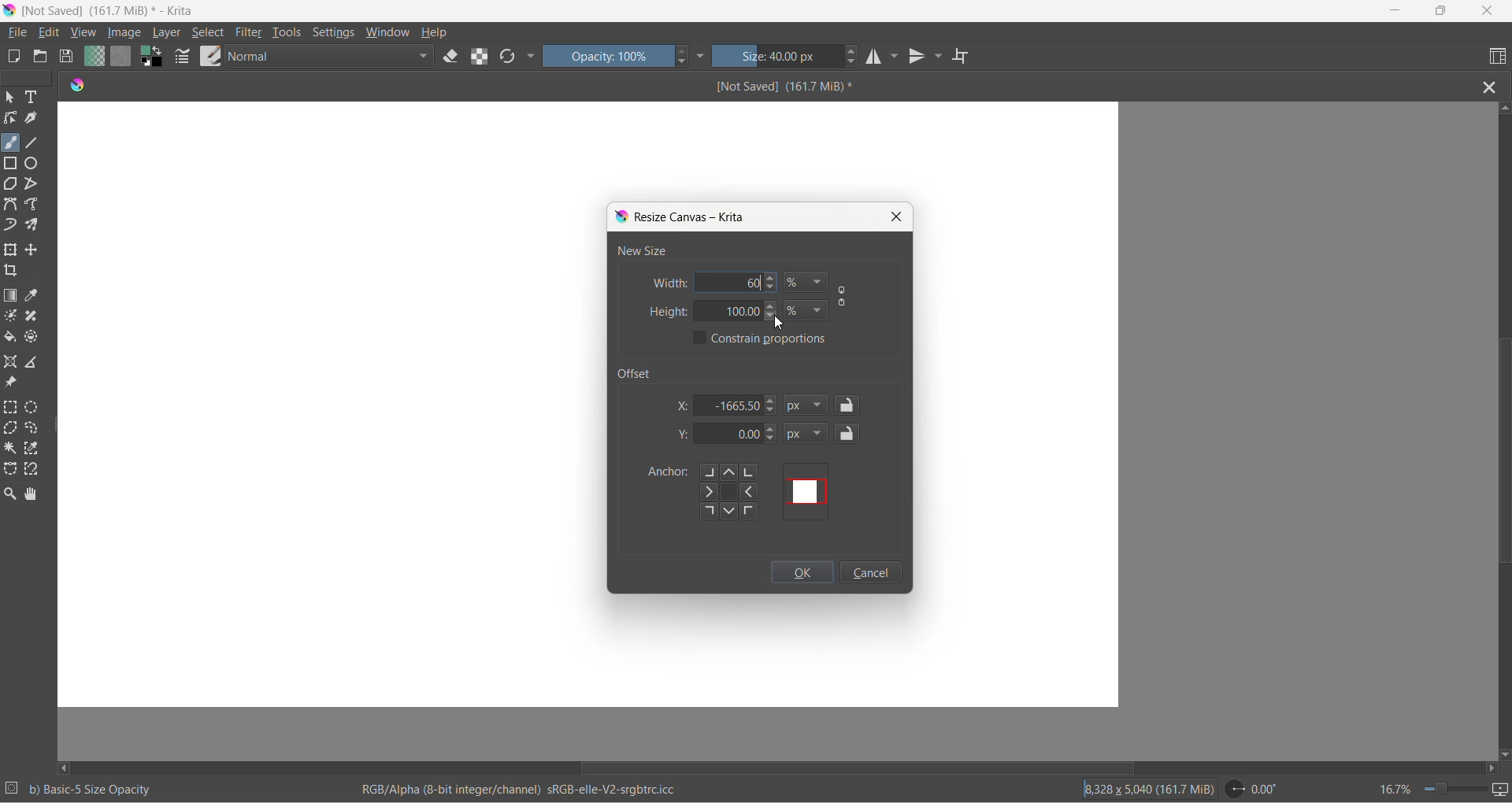  What do you see at coordinates (779, 322) in the screenshot?
I see `cursor` at bounding box center [779, 322].